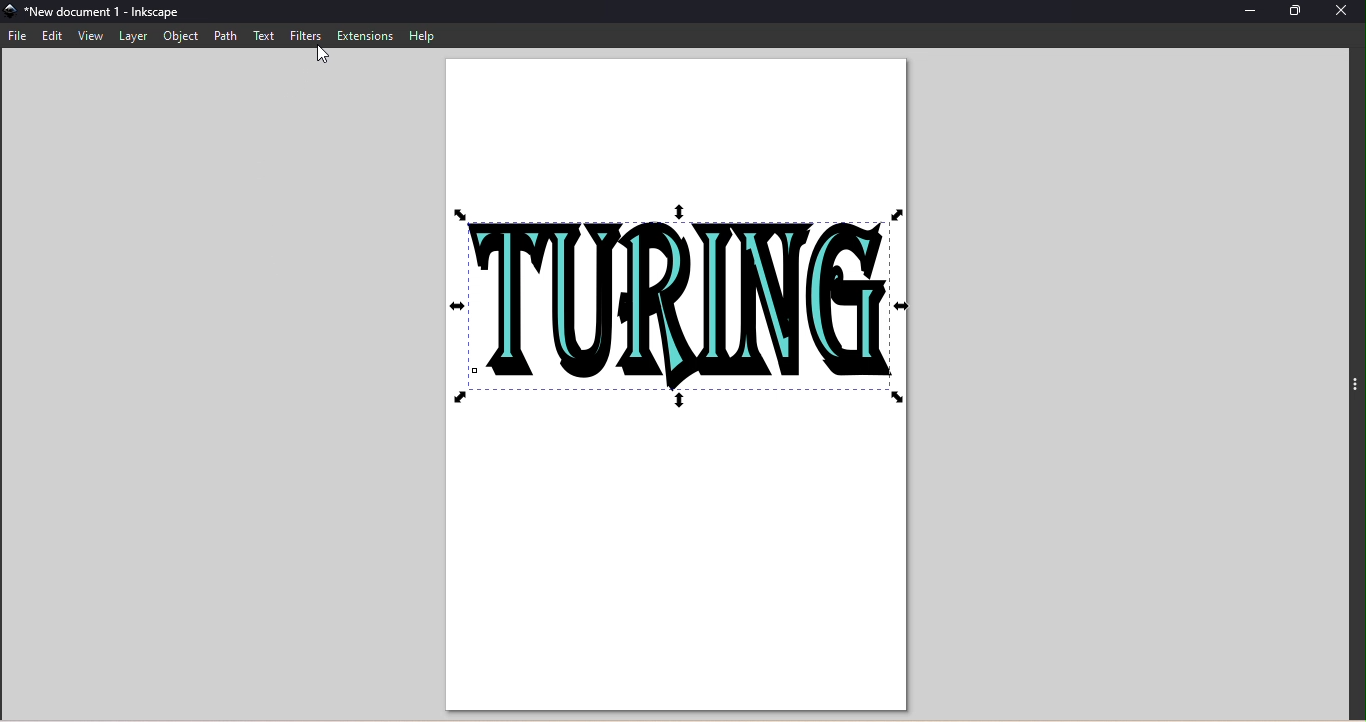 Image resolution: width=1366 pixels, height=722 pixels. What do you see at coordinates (1295, 12) in the screenshot?
I see `Maximize` at bounding box center [1295, 12].